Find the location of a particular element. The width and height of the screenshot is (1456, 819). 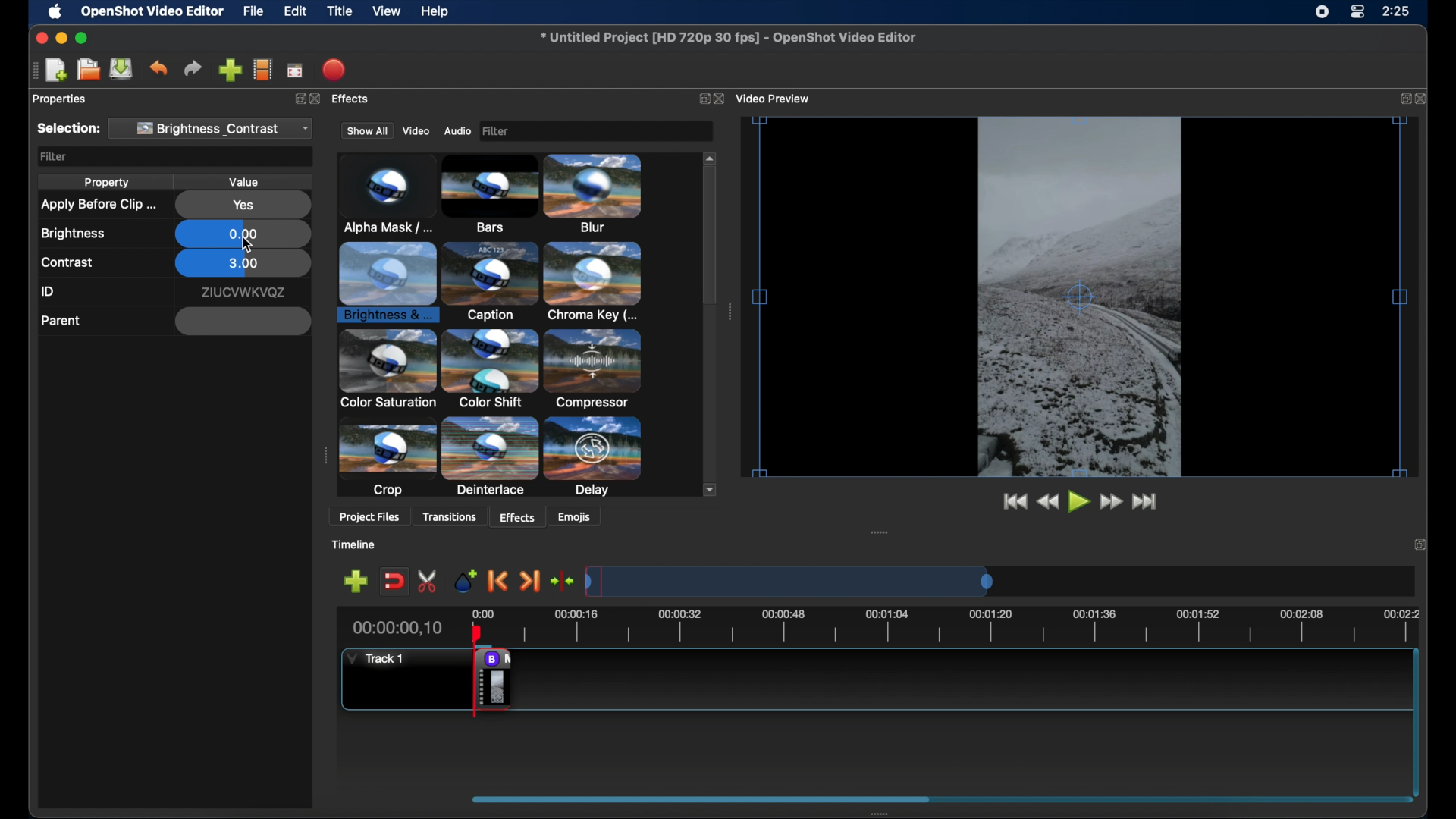

close is located at coordinates (1420, 543).